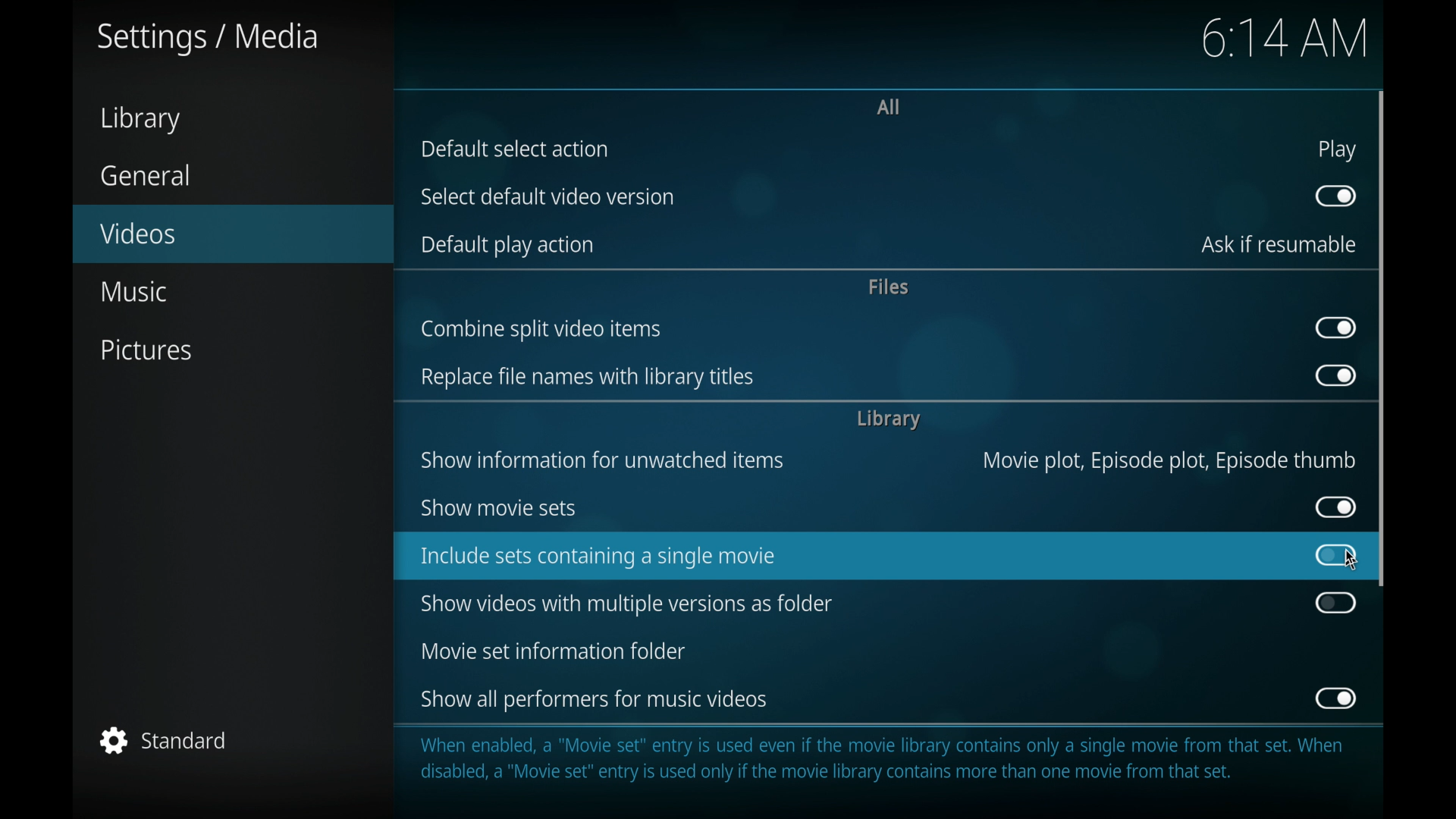  What do you see at coordinates (544, 196) in the screenshot?
I see `select default video version` at bounding box center [544, 196].